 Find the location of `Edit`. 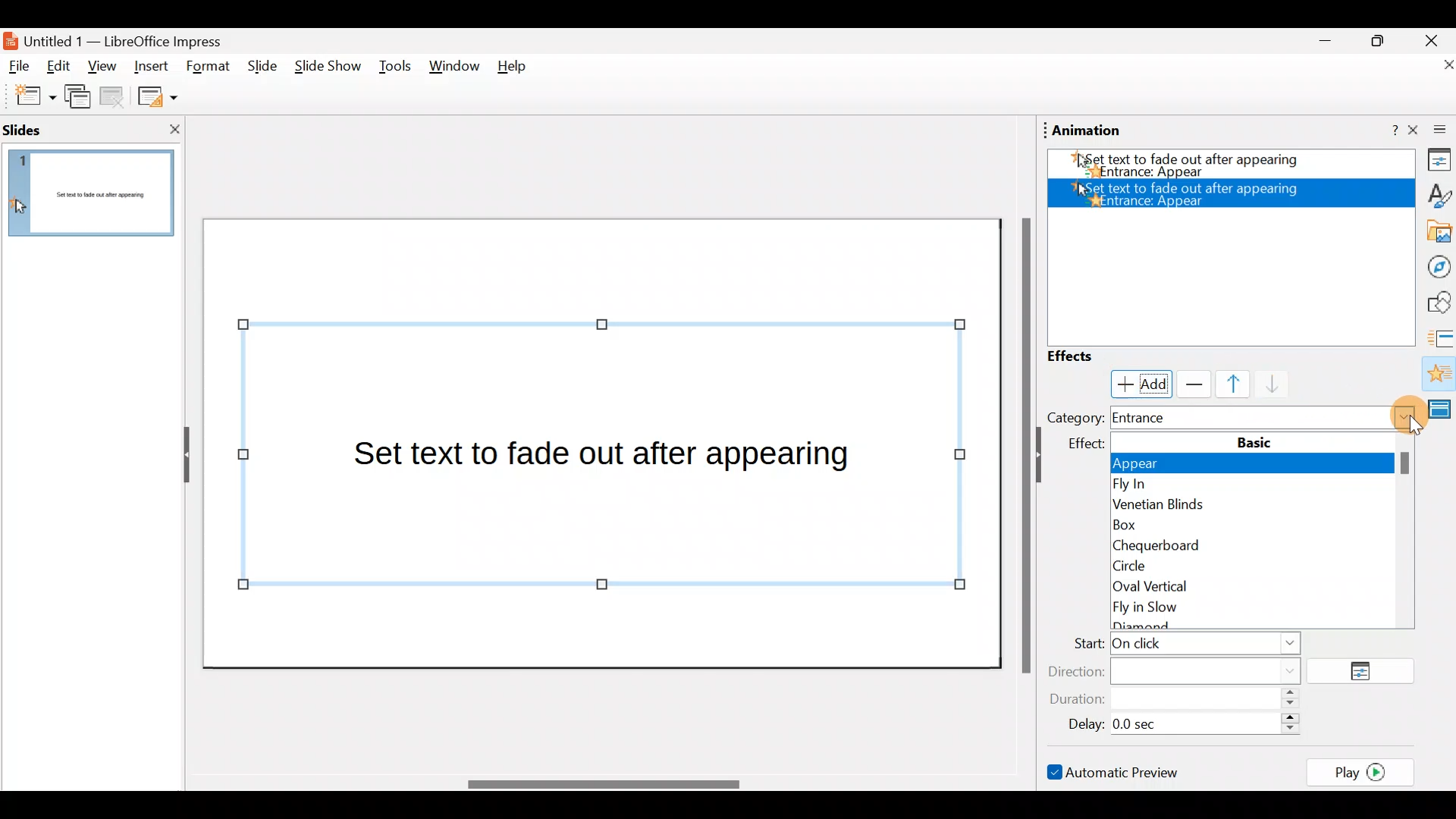

Edit is located at coordinates (64, 67).